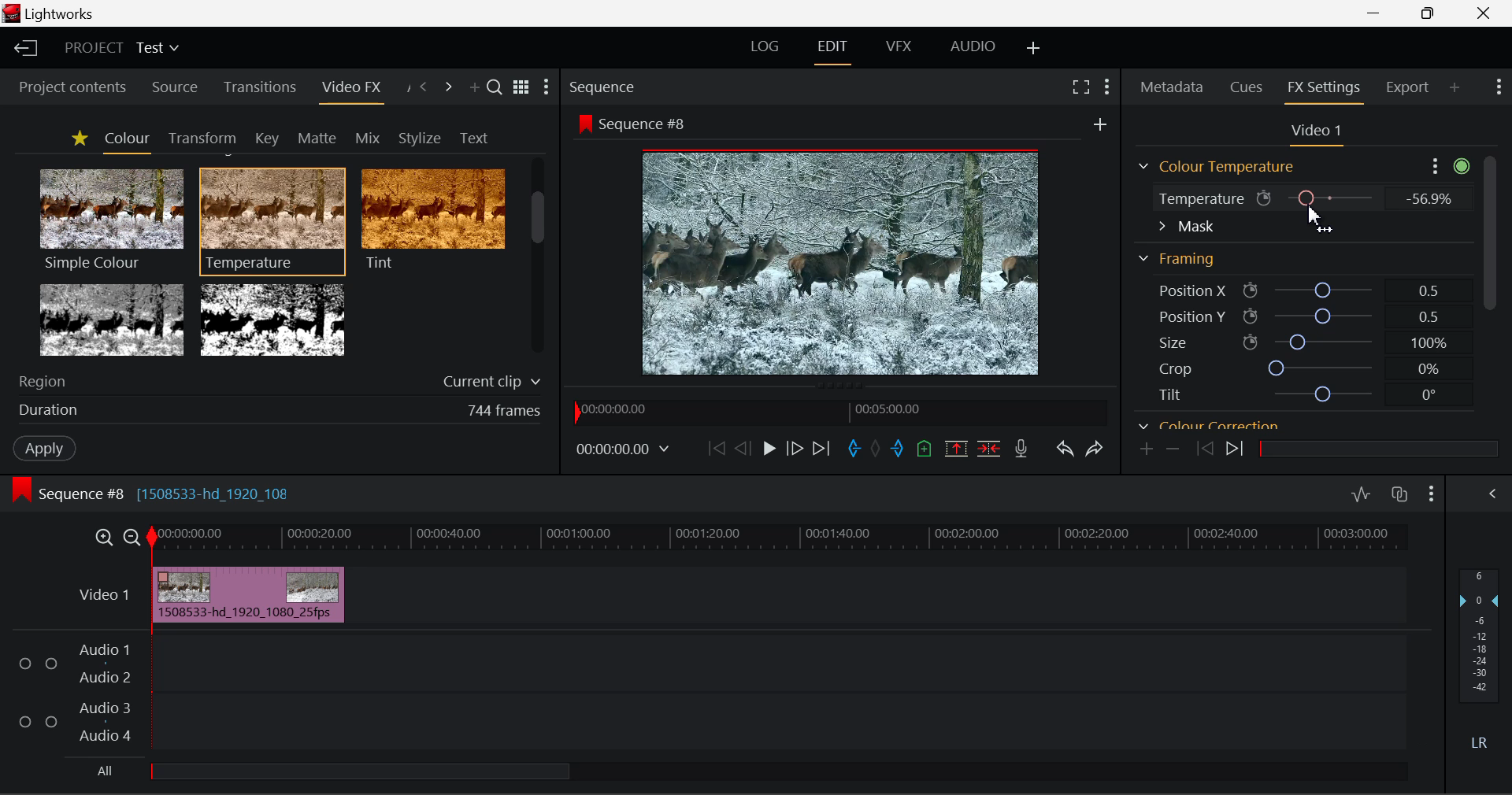  What do you see at coordinates (1099, 124) in the screenshot?
I see `add` at bounding box center [1099, 124].